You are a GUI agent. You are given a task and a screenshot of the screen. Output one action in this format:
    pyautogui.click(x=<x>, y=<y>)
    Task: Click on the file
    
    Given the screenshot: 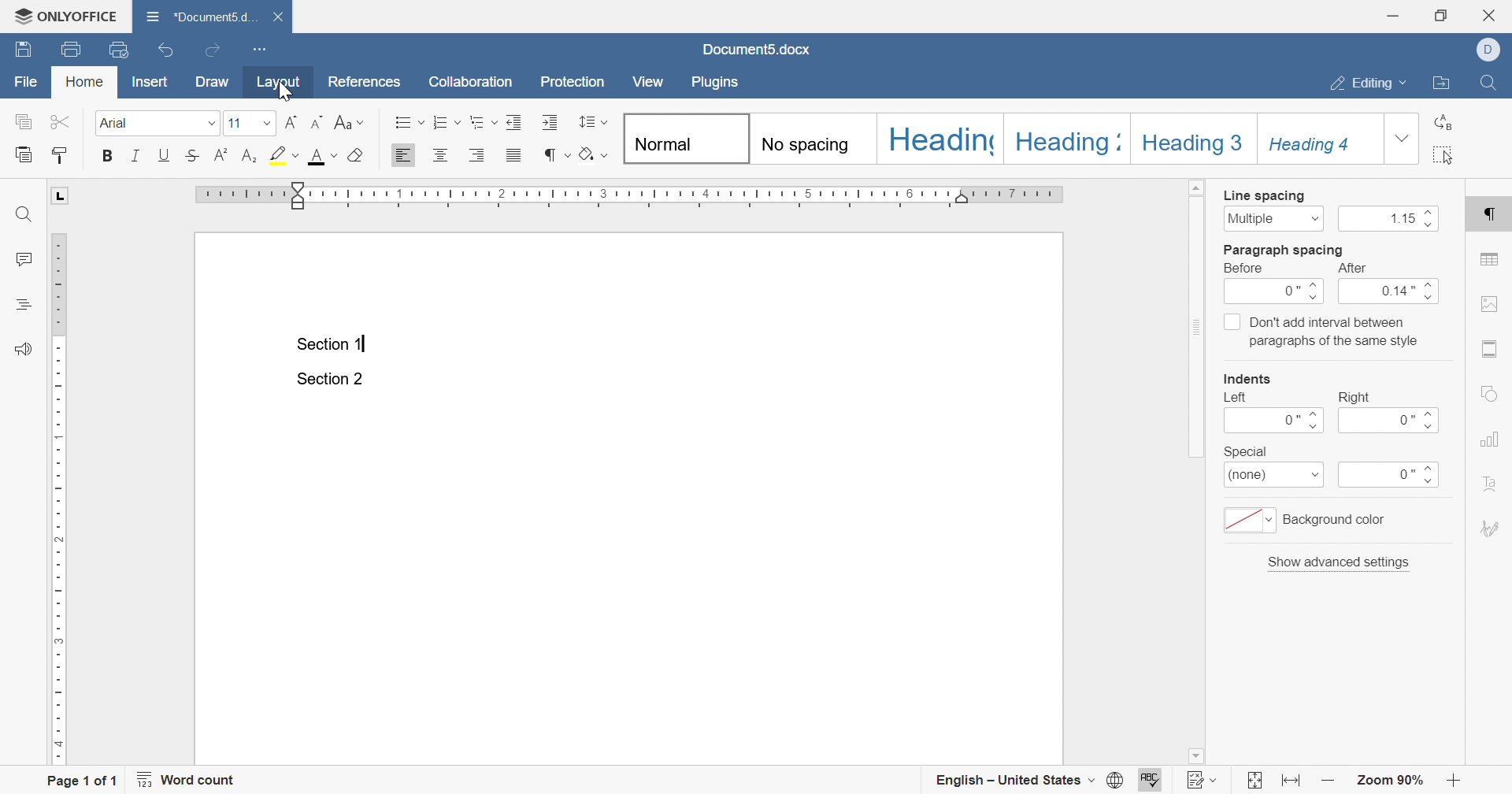 What is the action you would take?
    pyautogui.click(x=27, y=80)
    